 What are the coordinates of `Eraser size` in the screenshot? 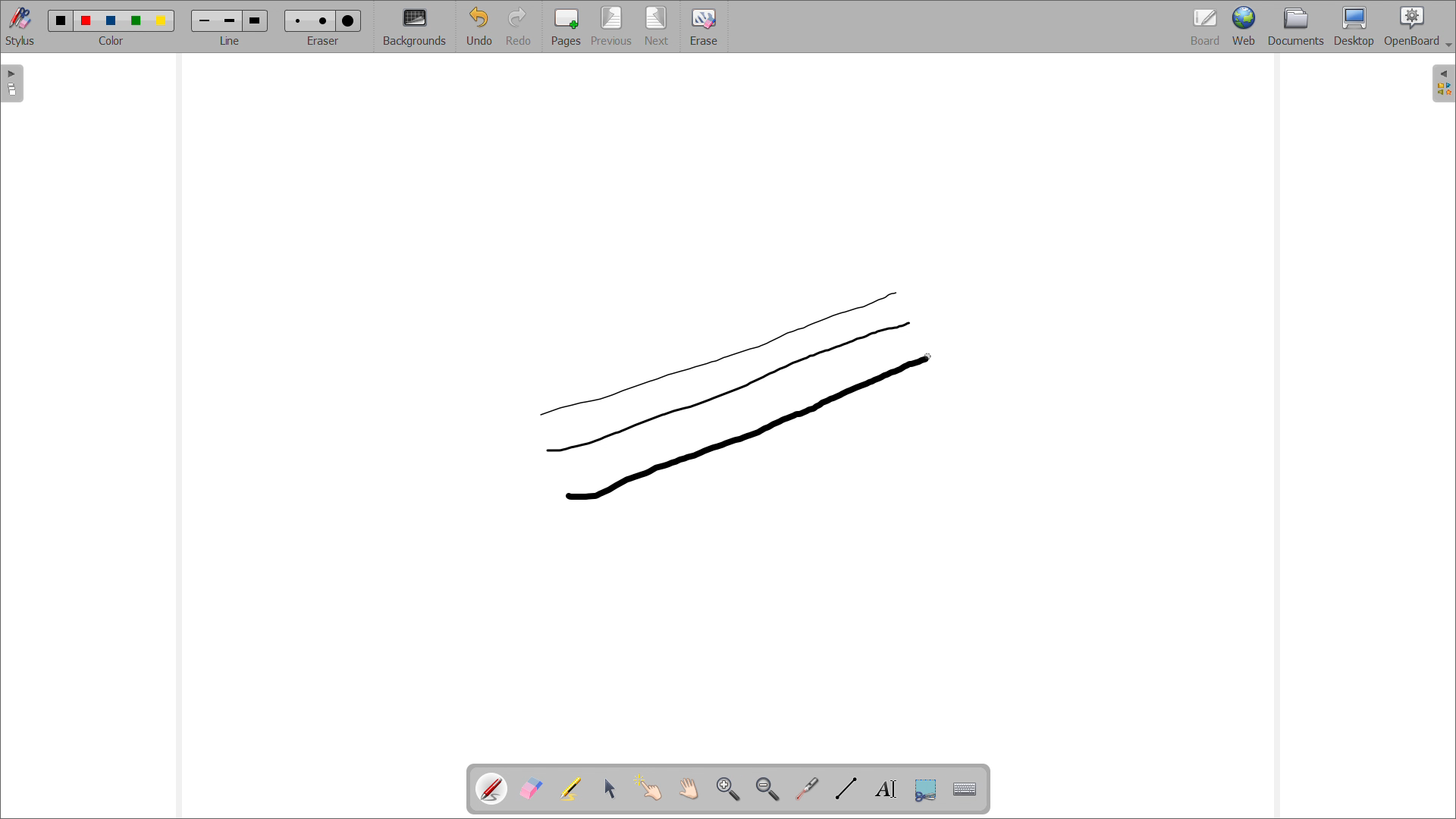 It's located at (348, 21).